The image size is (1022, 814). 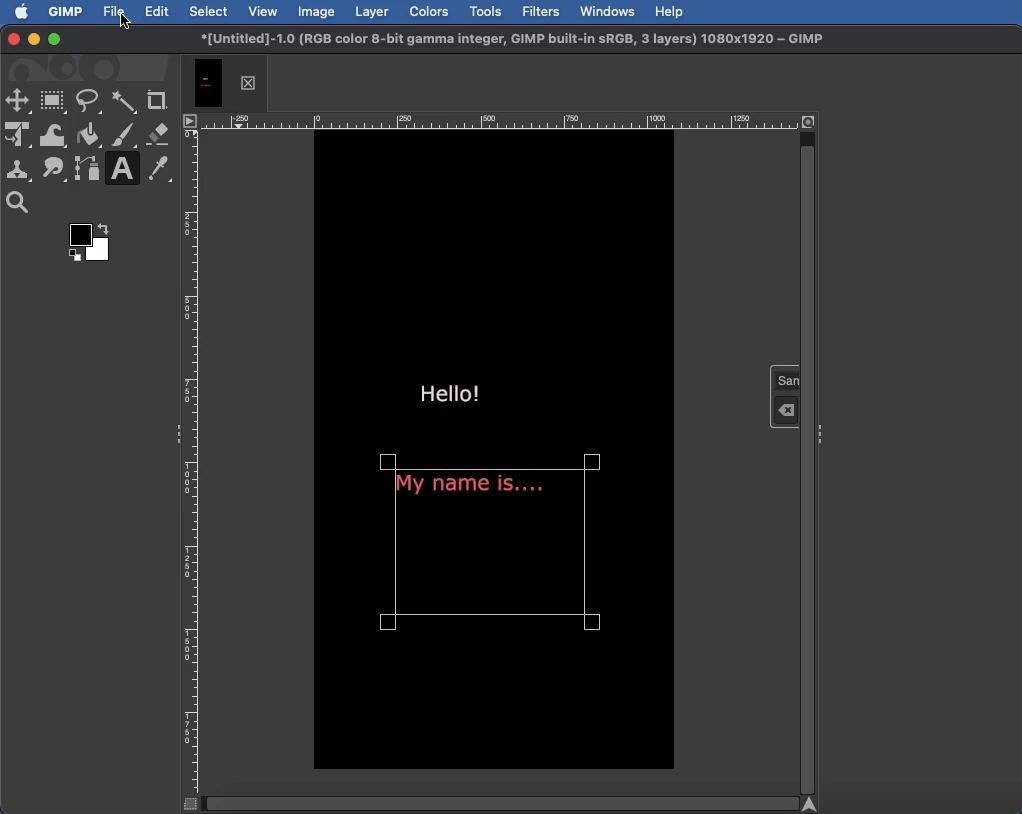 What do you see at coordinates (122, 133) in the screenshot?
I see `Pain` at bounding box center [122, 133].